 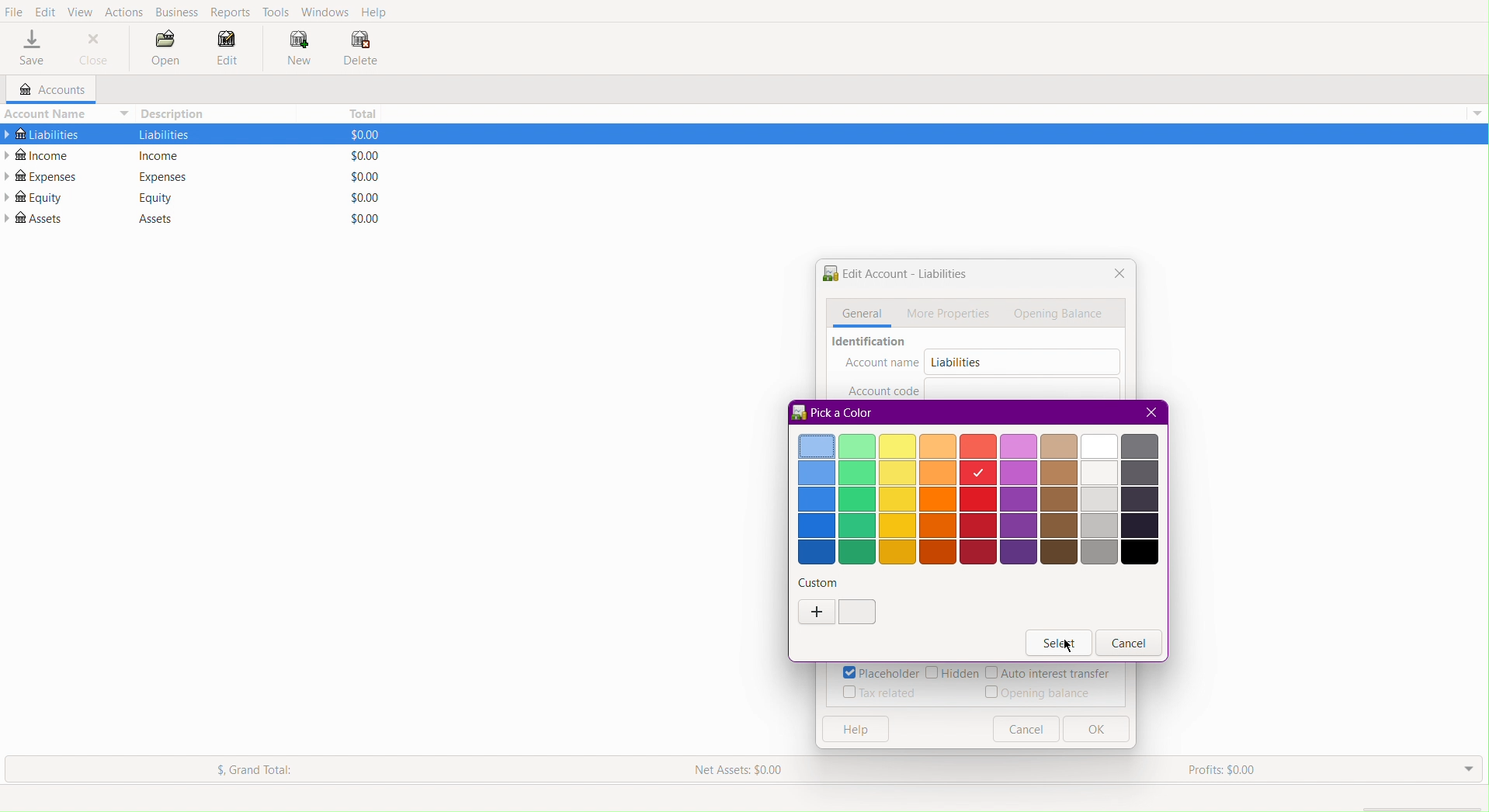 What do you see at coordinates (857, 613) in the screenshot?
I see `Confirm` at bounding box center [857, 613].